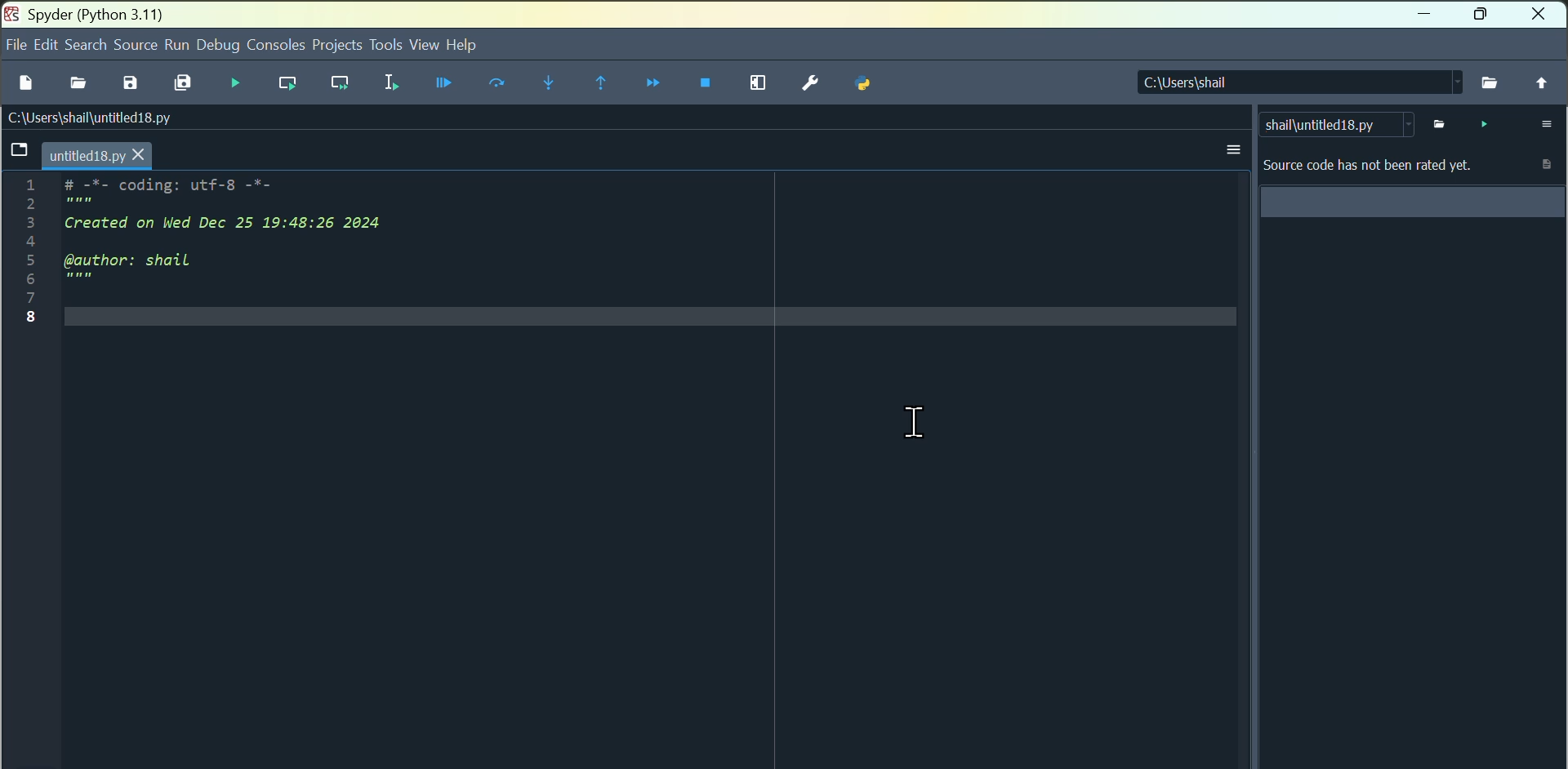 The width and height of the screenshot is (1568, 769). I want to click on minimise, so click(1425, 16).